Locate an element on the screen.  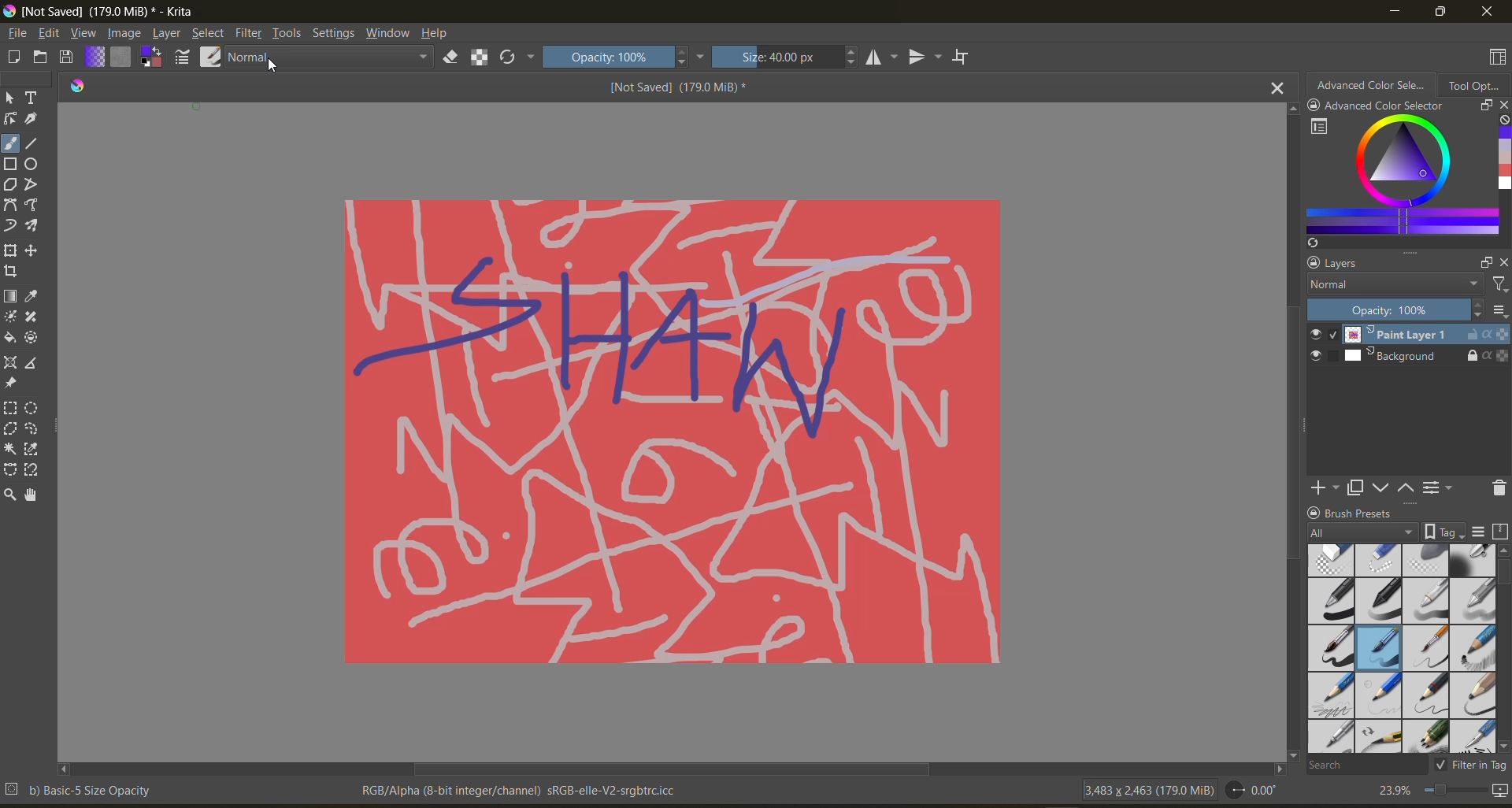
logo is located at coordinates (80, 87).